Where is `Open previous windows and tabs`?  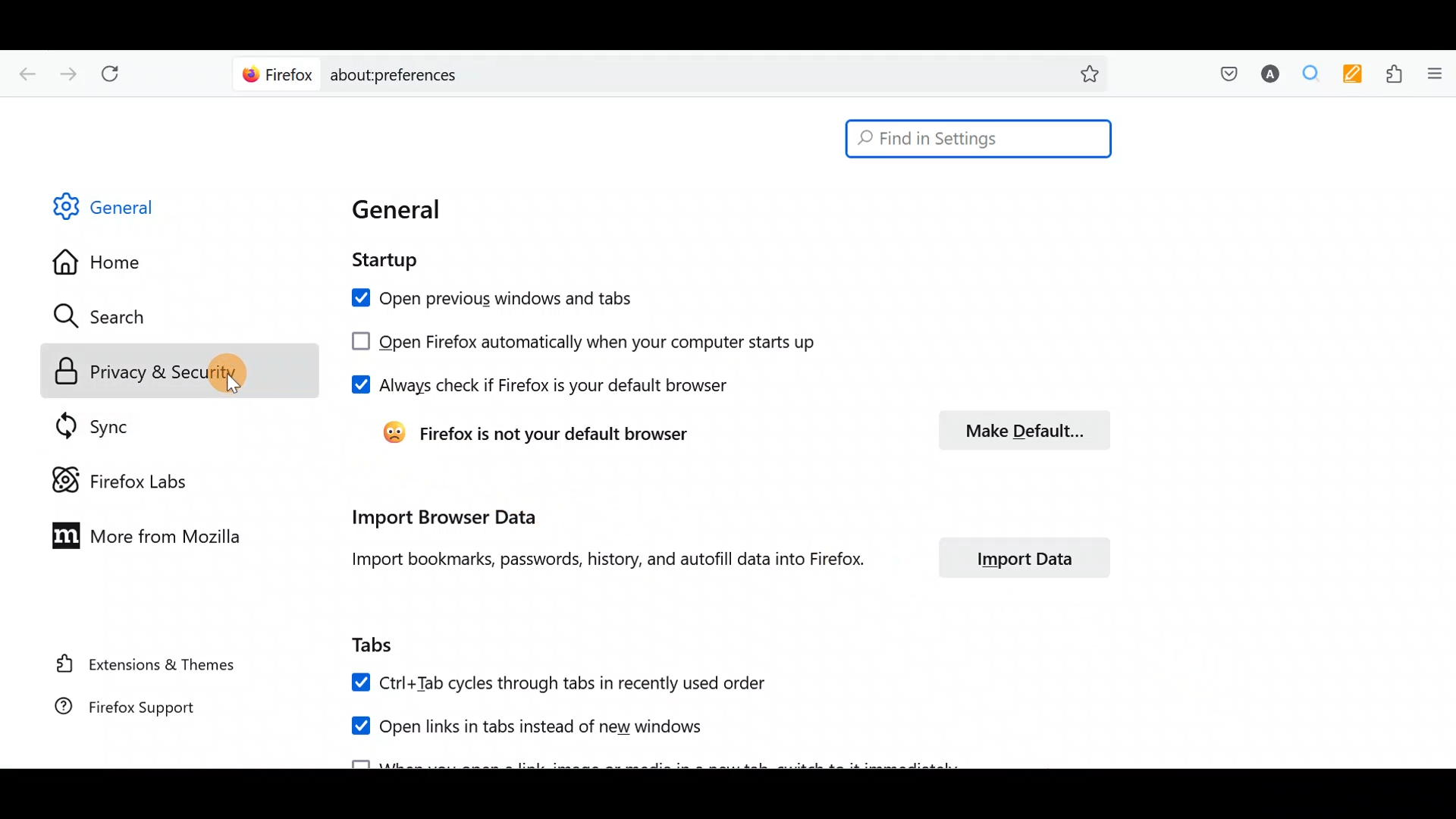
Open previous windows and tabs is located at coordinates (499, 298).